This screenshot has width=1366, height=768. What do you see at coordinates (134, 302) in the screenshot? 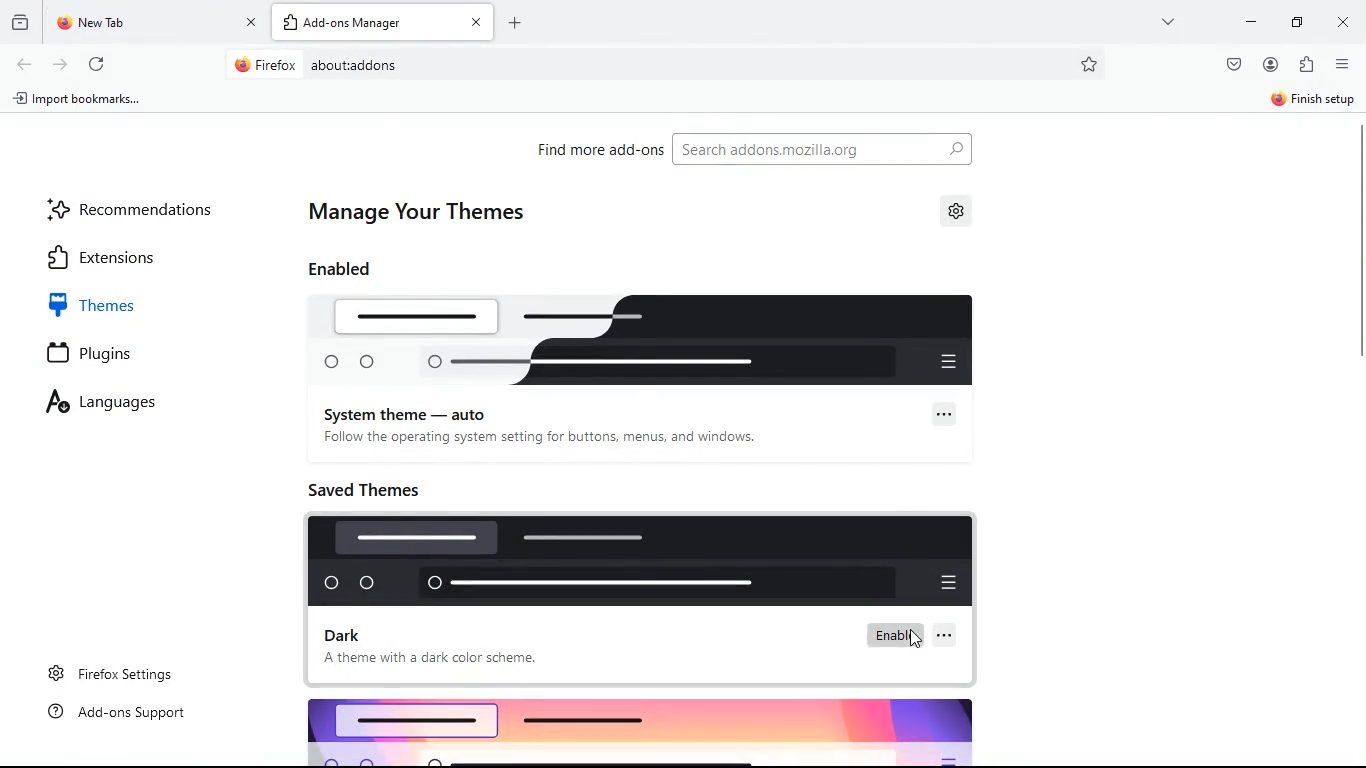
I see `themes` at bounding box center [134, 302].